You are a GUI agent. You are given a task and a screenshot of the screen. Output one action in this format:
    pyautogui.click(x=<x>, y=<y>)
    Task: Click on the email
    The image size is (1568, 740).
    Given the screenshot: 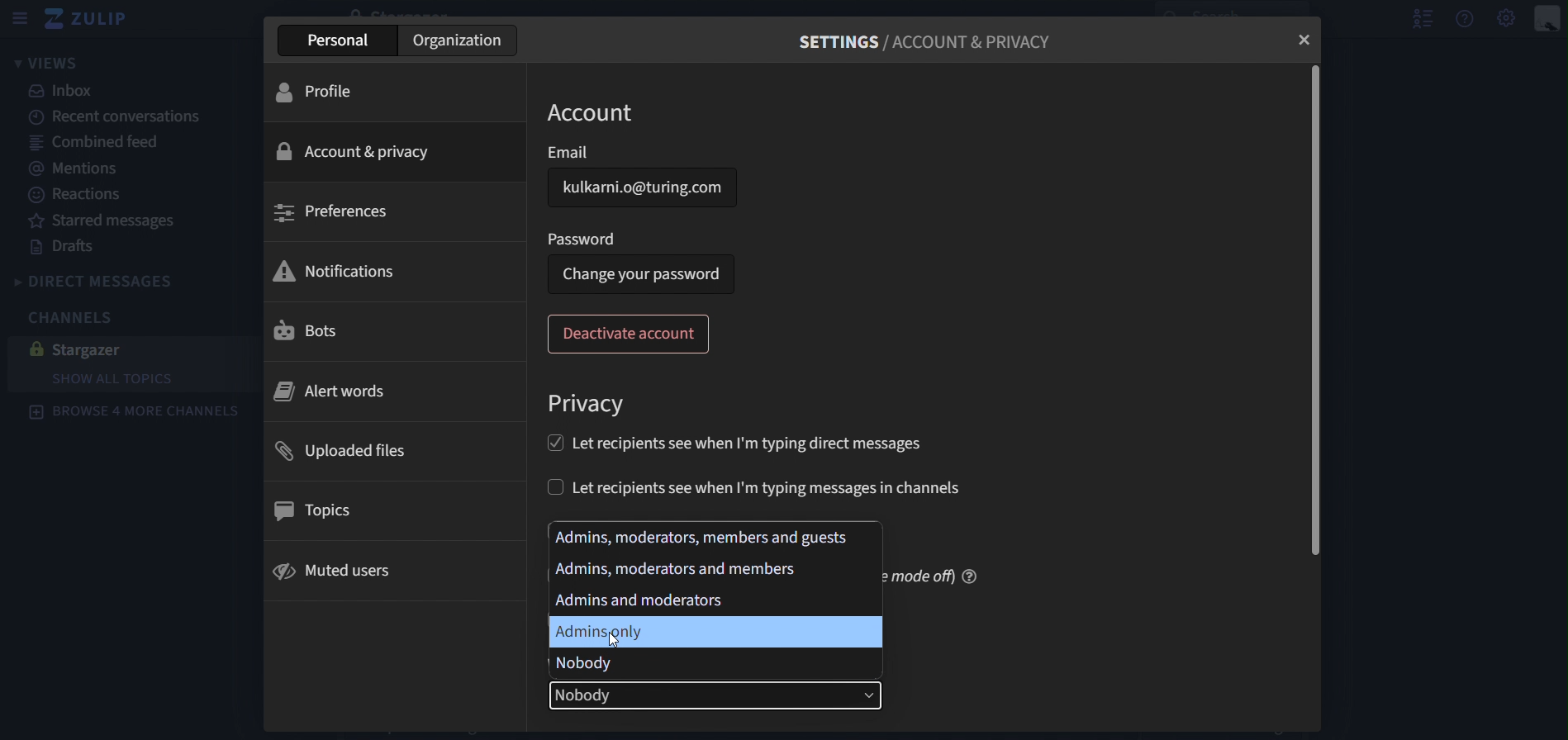 What is the action you would take?
    pyautogui.click(x=640, y=187)
    